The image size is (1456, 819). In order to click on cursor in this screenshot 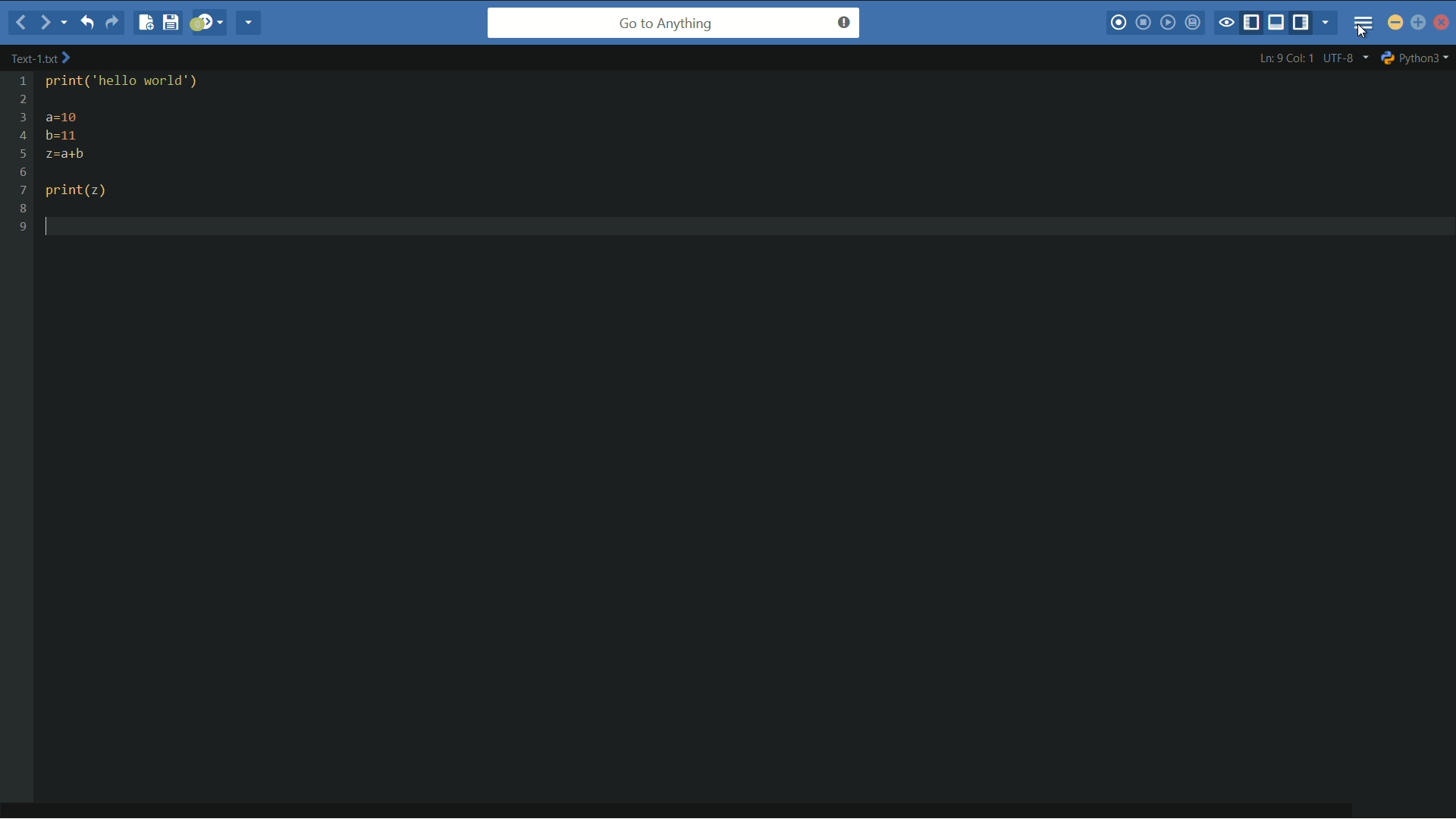, I will do `click(1367, 33)`.